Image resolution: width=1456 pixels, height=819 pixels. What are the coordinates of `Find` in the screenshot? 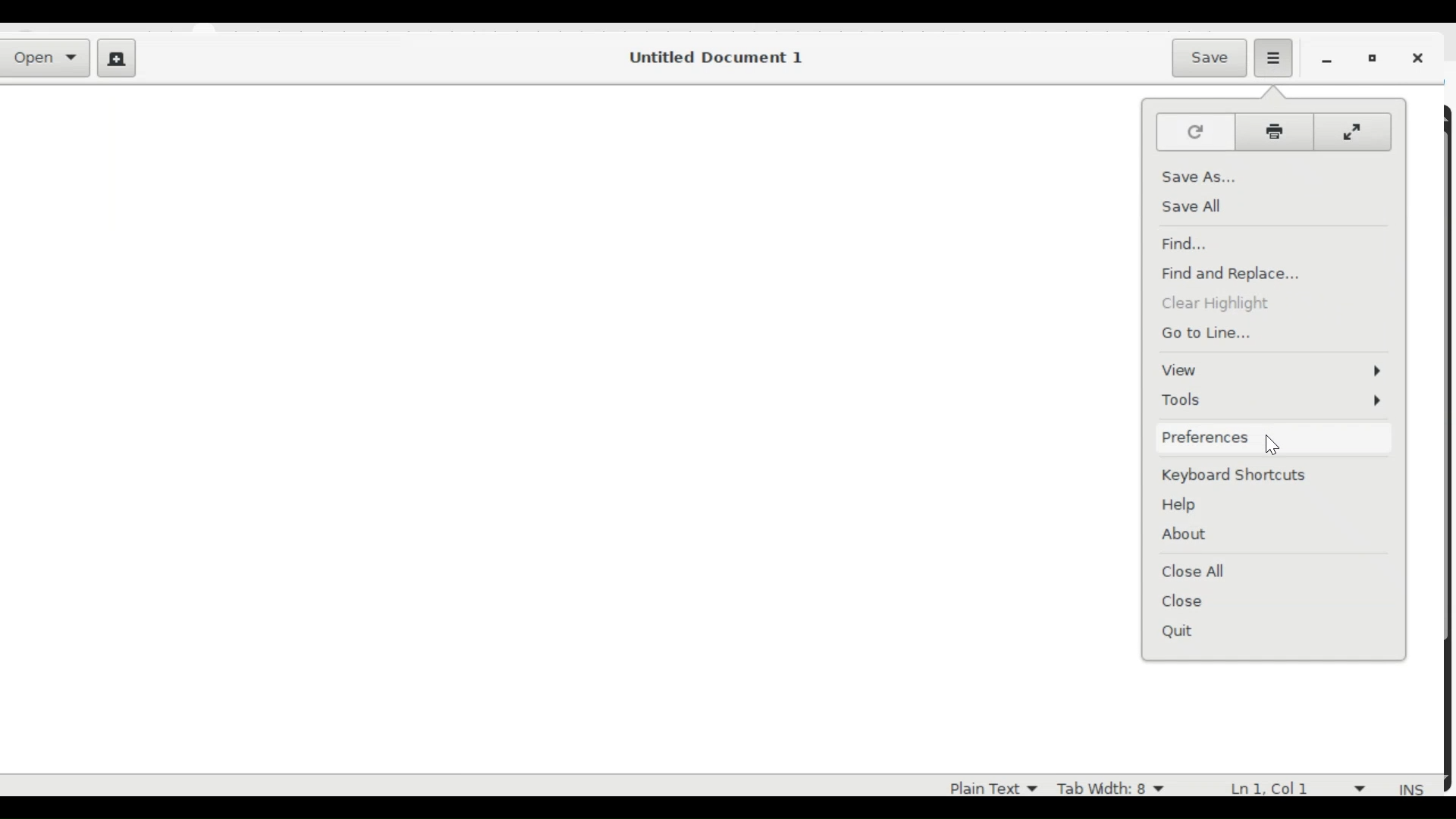 It's located at (1190, 244).